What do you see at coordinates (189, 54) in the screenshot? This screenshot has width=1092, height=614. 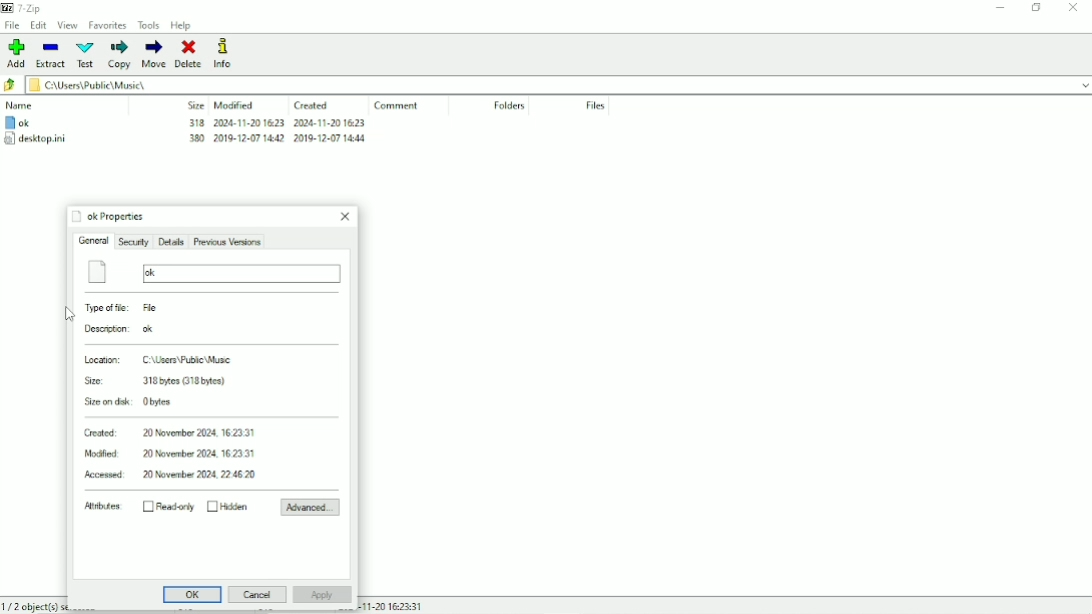 I see `Delete` at bounding box center [189, 54].